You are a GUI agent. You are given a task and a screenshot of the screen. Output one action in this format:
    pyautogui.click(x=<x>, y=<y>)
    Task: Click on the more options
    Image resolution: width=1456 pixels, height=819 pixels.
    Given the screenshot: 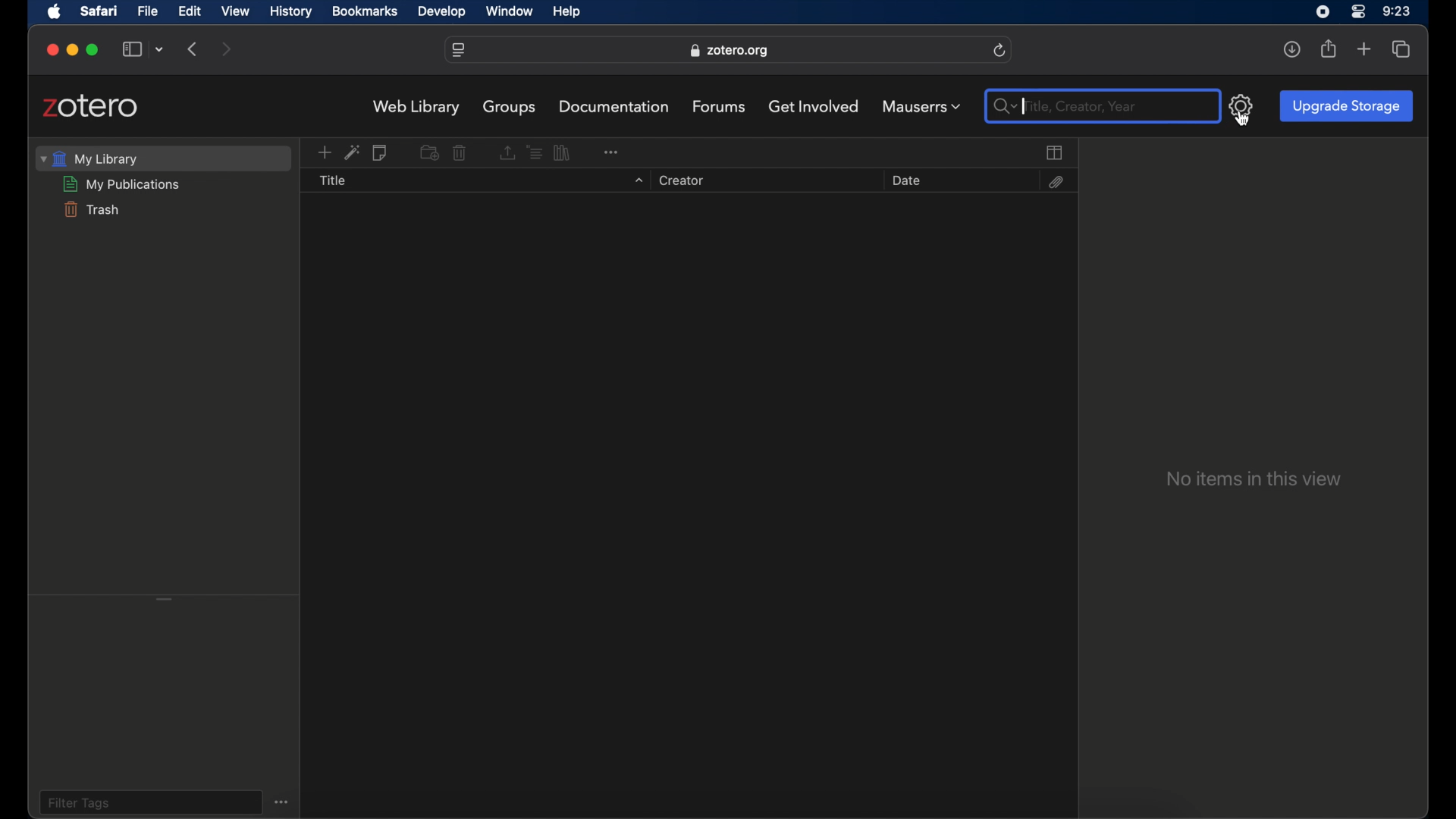 What is the action you would take?
    pyautogui.click(x=610, y=150)
    